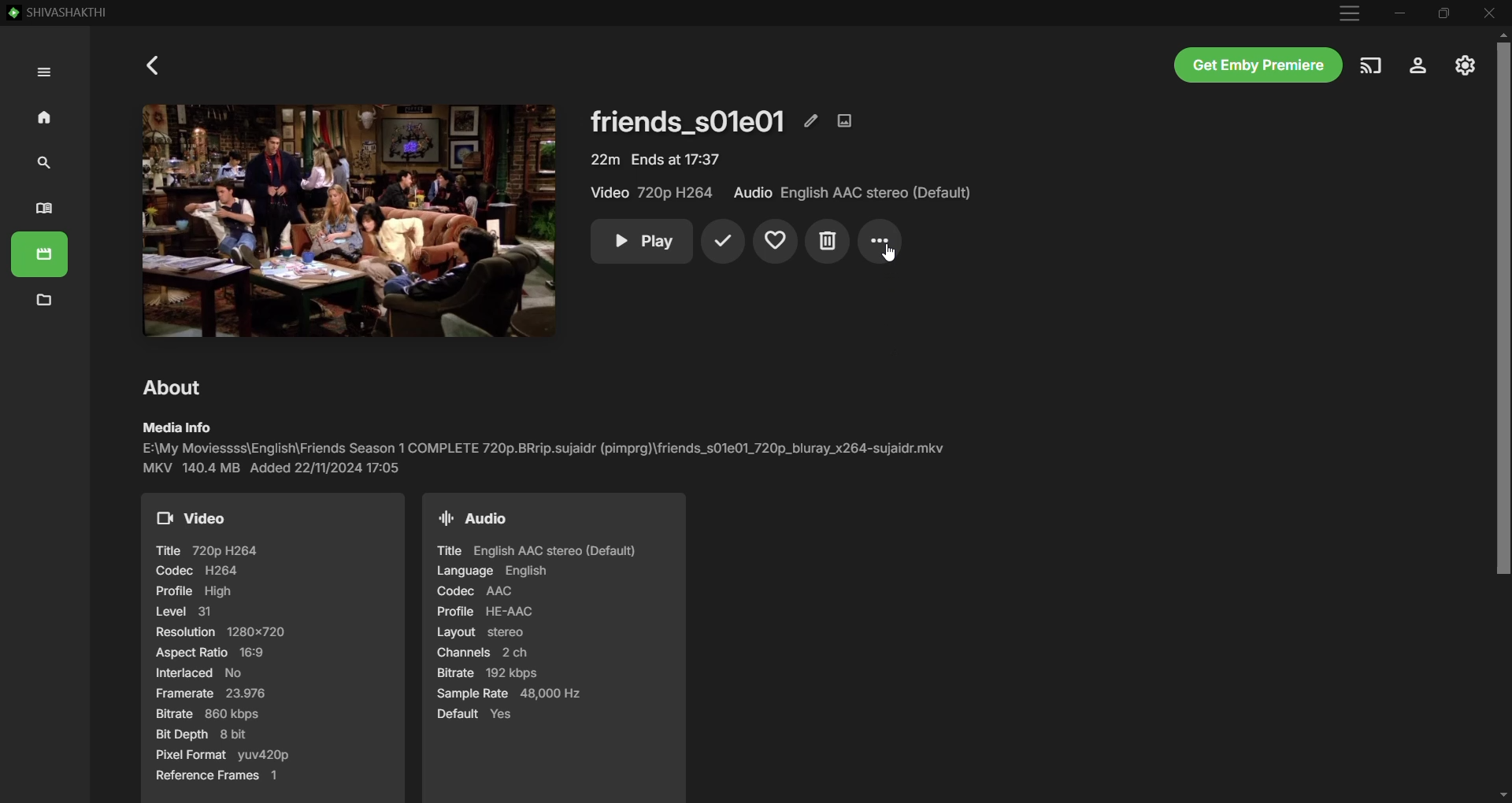 The width and height of the screenshot is (1512, 803). What do you see at coordinates (43, 302) in the screenshot?
I see `Metadata Manager` at bounding box center [43, 302].